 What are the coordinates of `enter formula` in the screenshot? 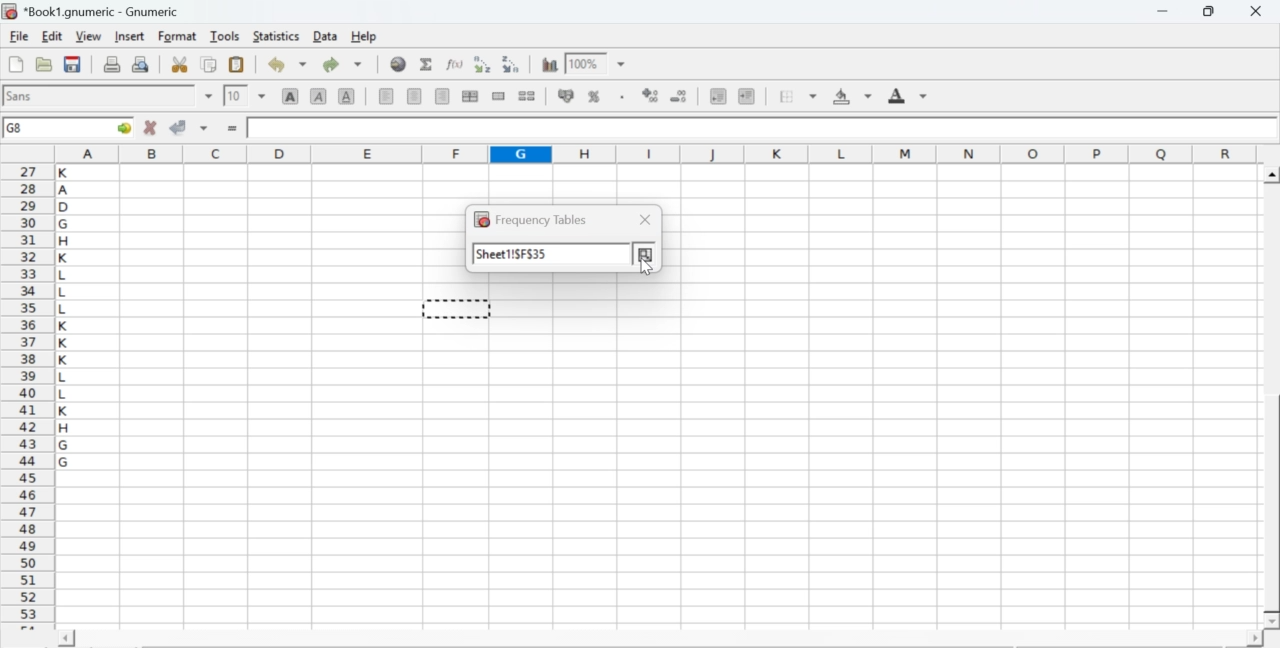 It's located at (234, 129).